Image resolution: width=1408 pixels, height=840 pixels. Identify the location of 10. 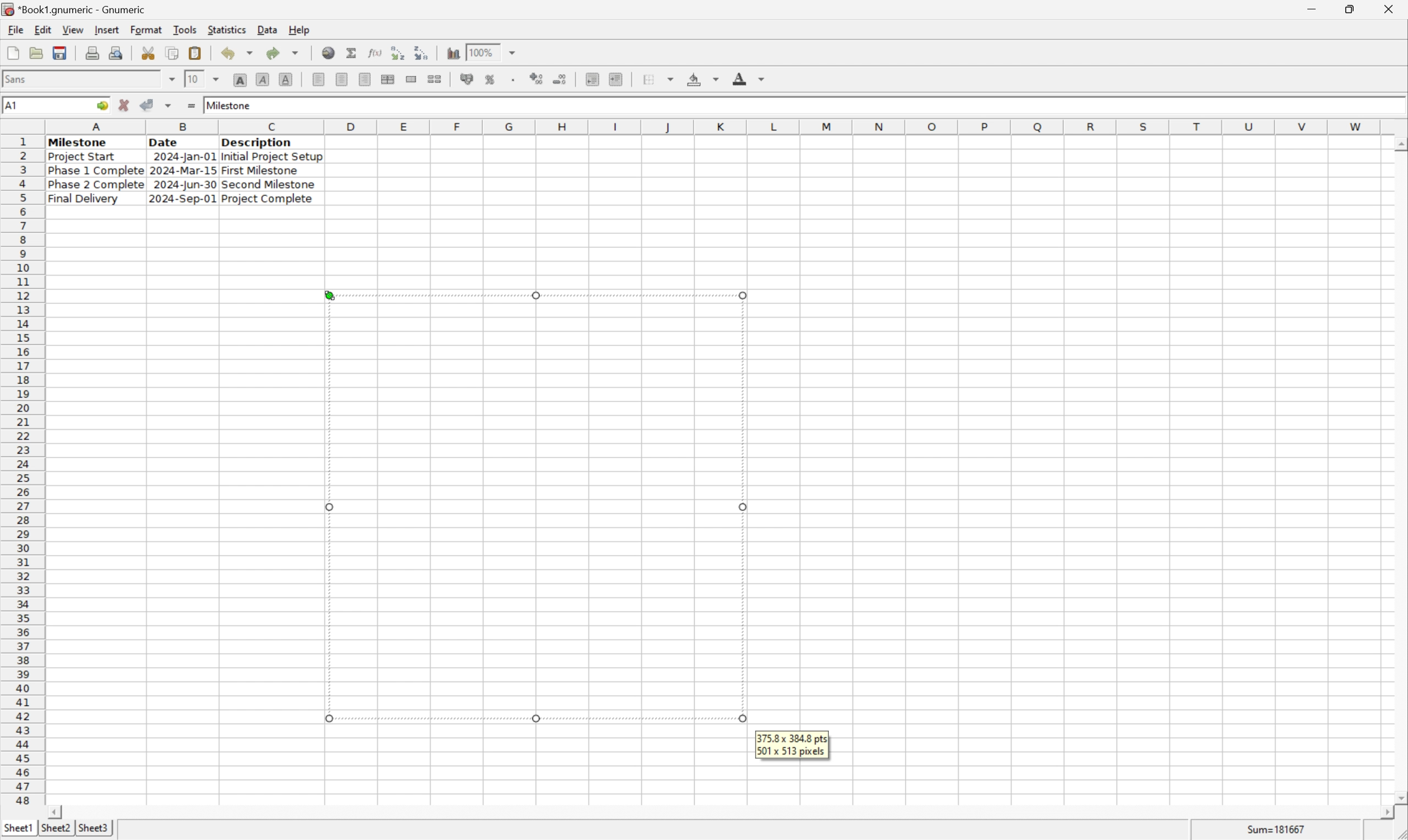
(192, 79).